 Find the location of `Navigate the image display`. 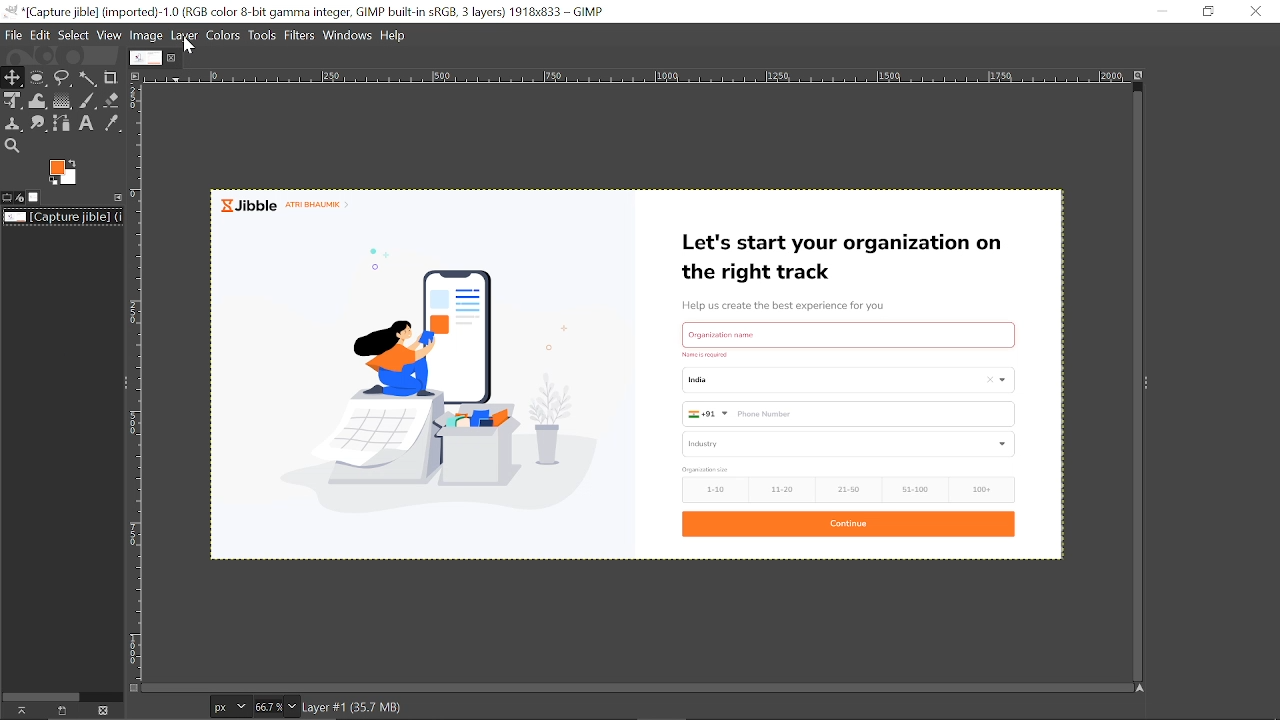

Navigate the image display is located at coordinates (1142, 689).